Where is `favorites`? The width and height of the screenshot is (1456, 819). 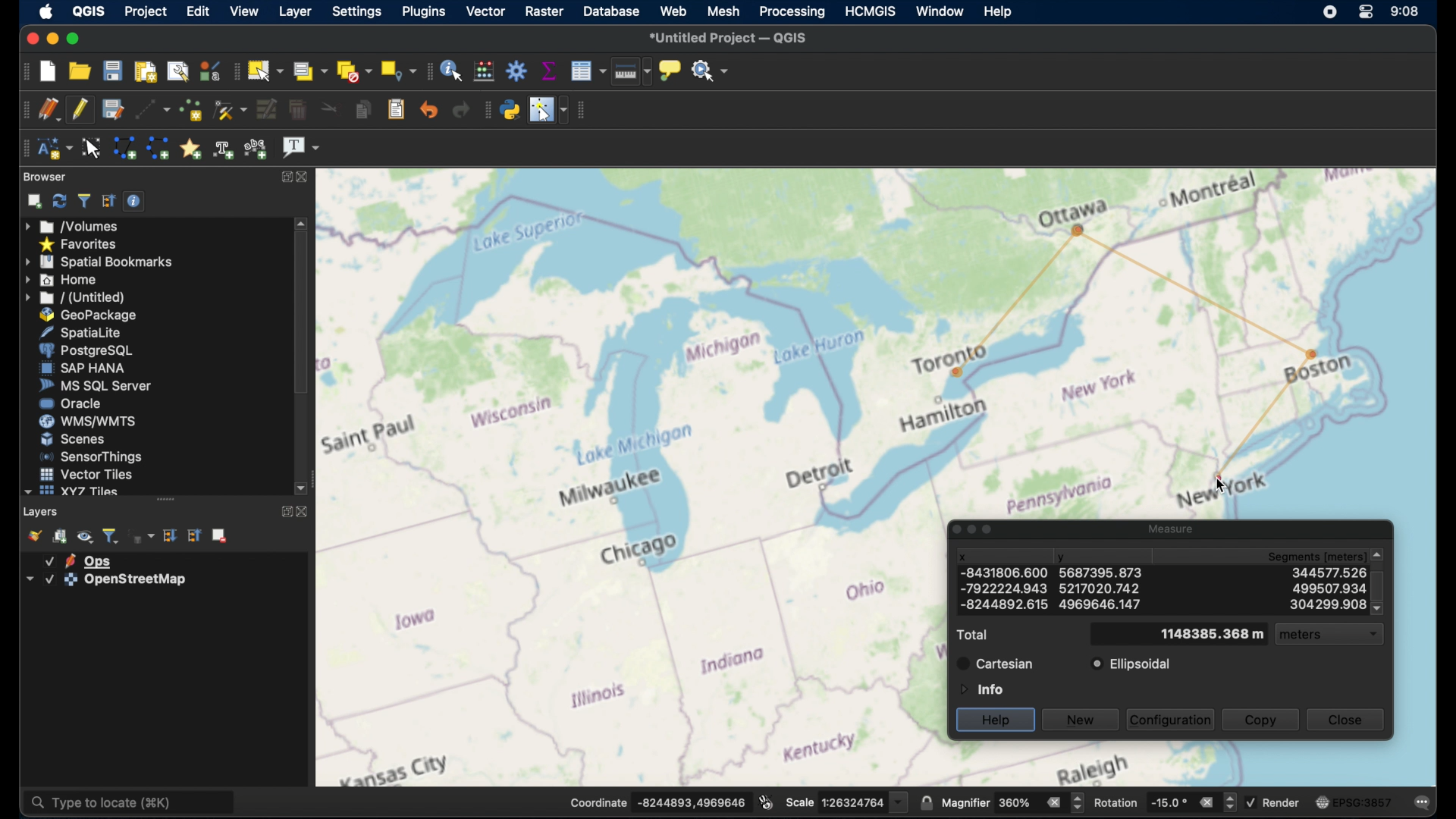 favorites is located at coordinates (80, 243).